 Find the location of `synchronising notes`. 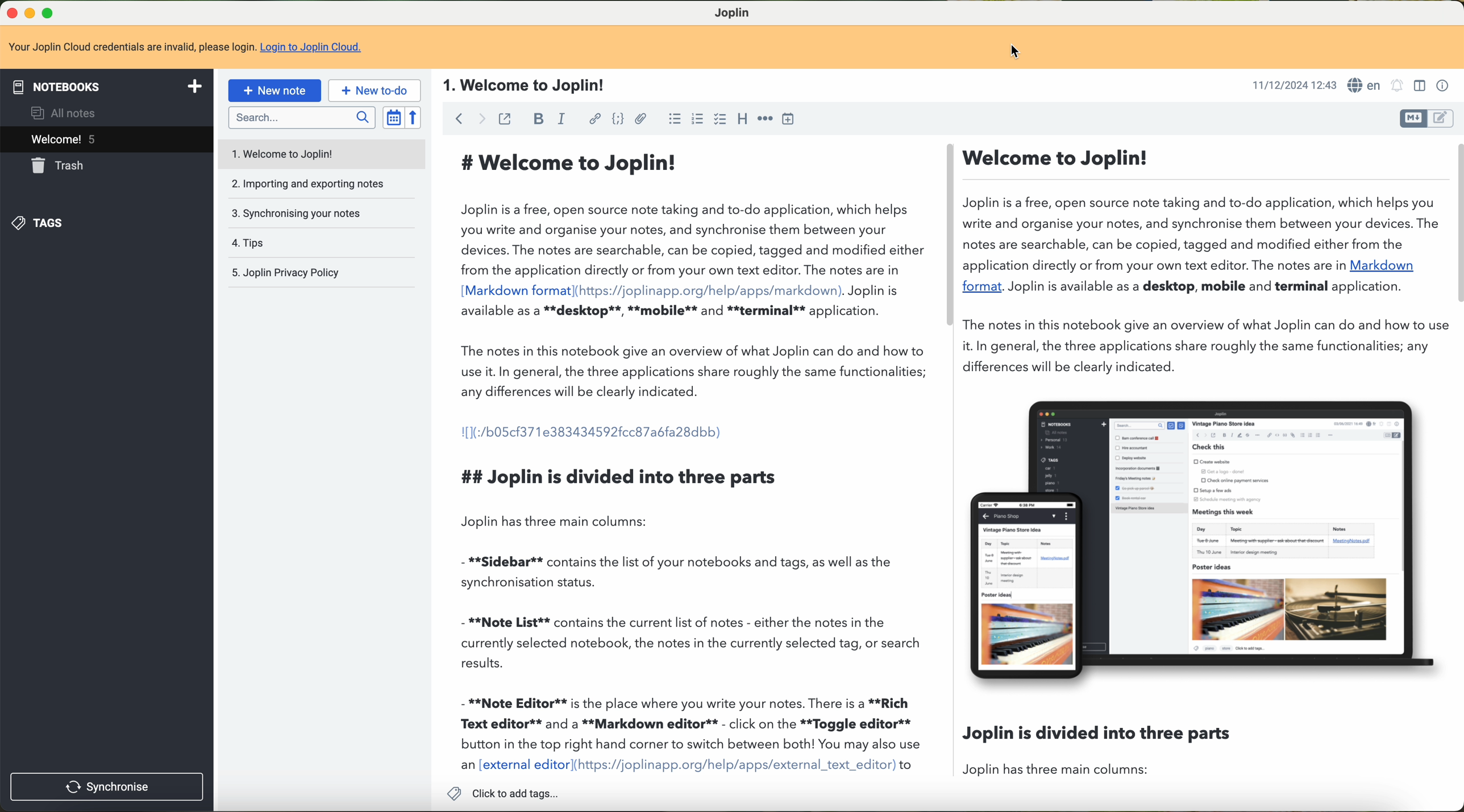

synchronising notes is located at coordinates (324, 214).